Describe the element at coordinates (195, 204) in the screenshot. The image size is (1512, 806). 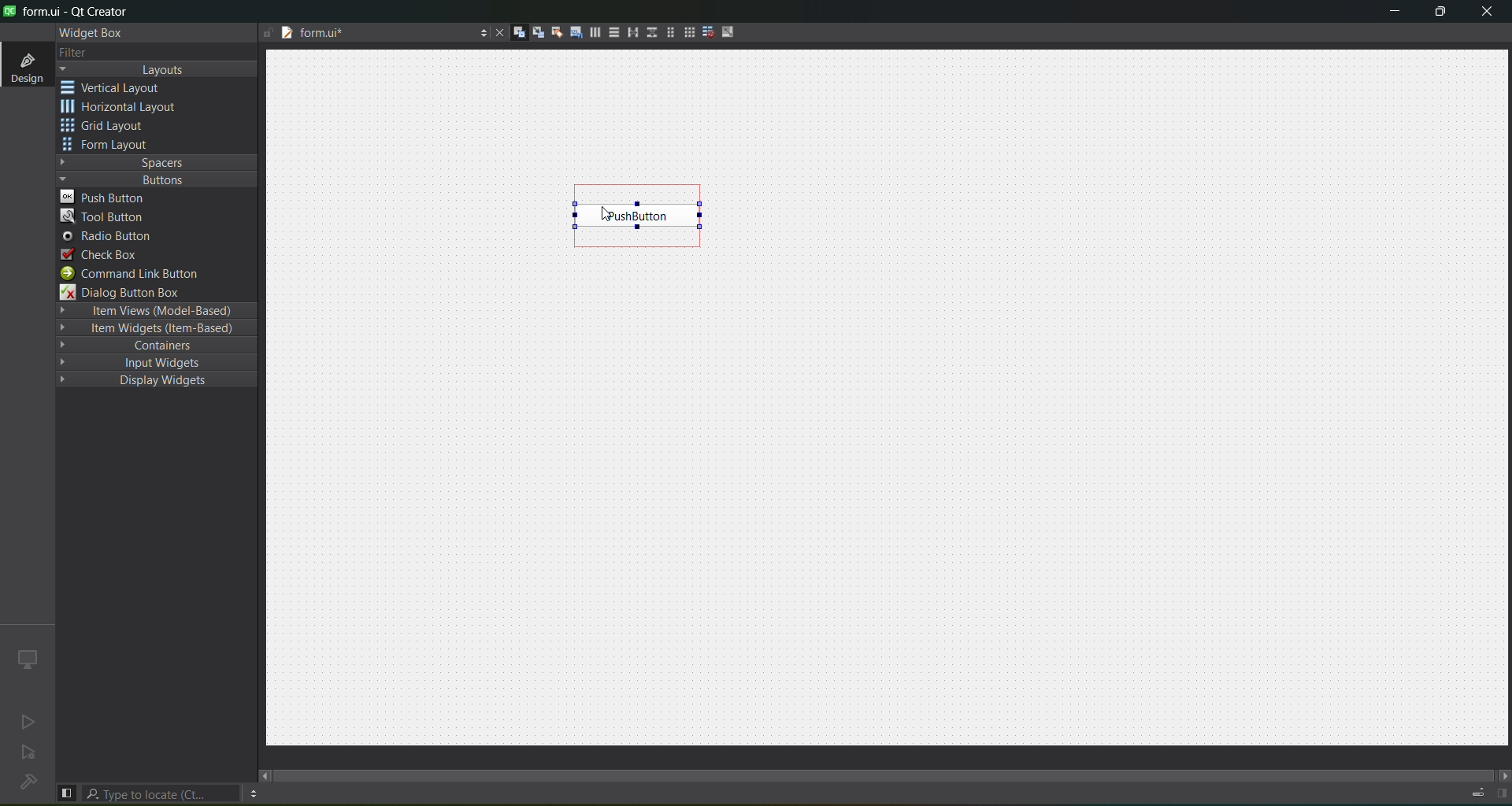
I see `cursor` at that location.